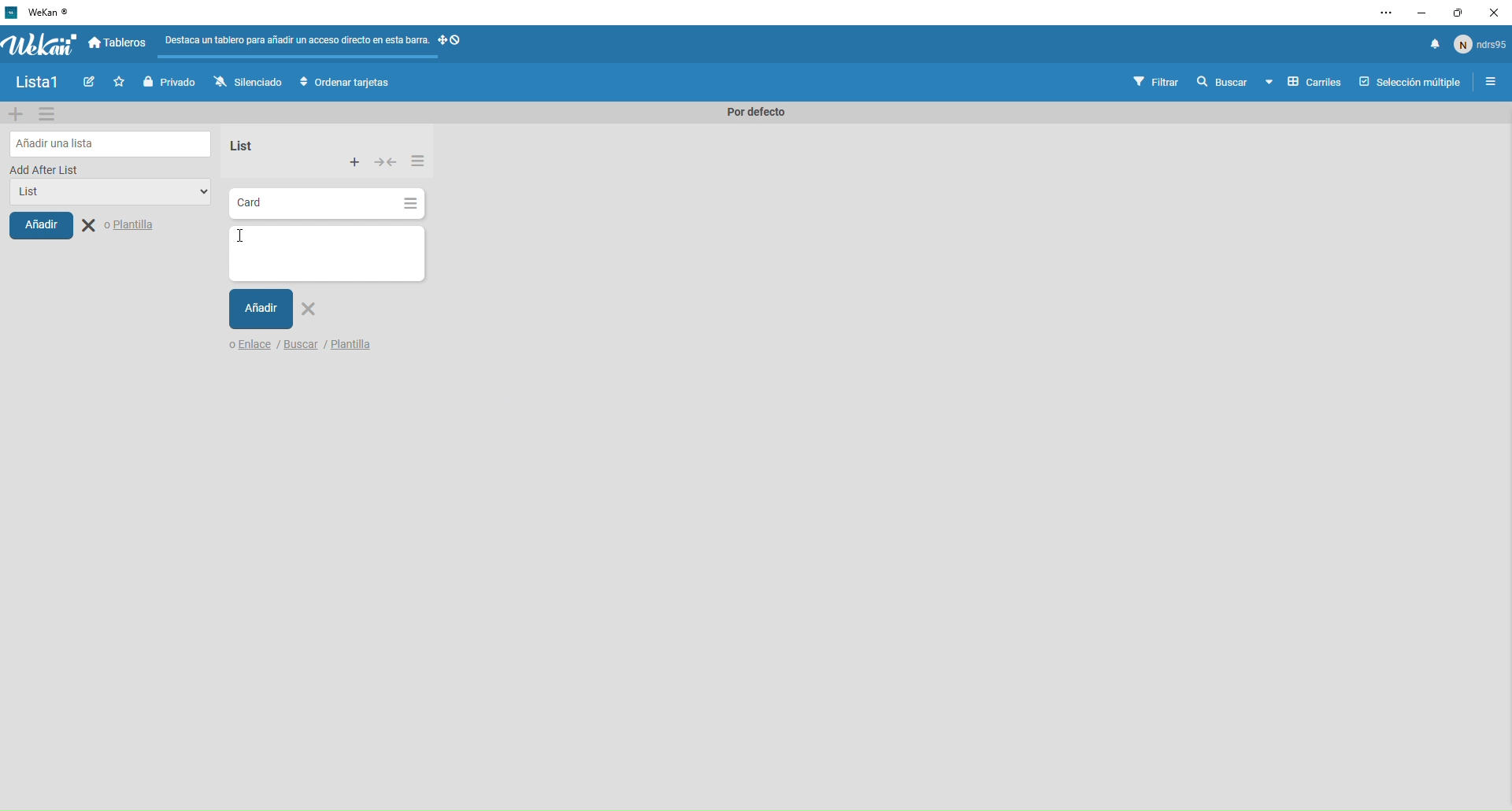  I want to click on Boars, so click(119, 44).